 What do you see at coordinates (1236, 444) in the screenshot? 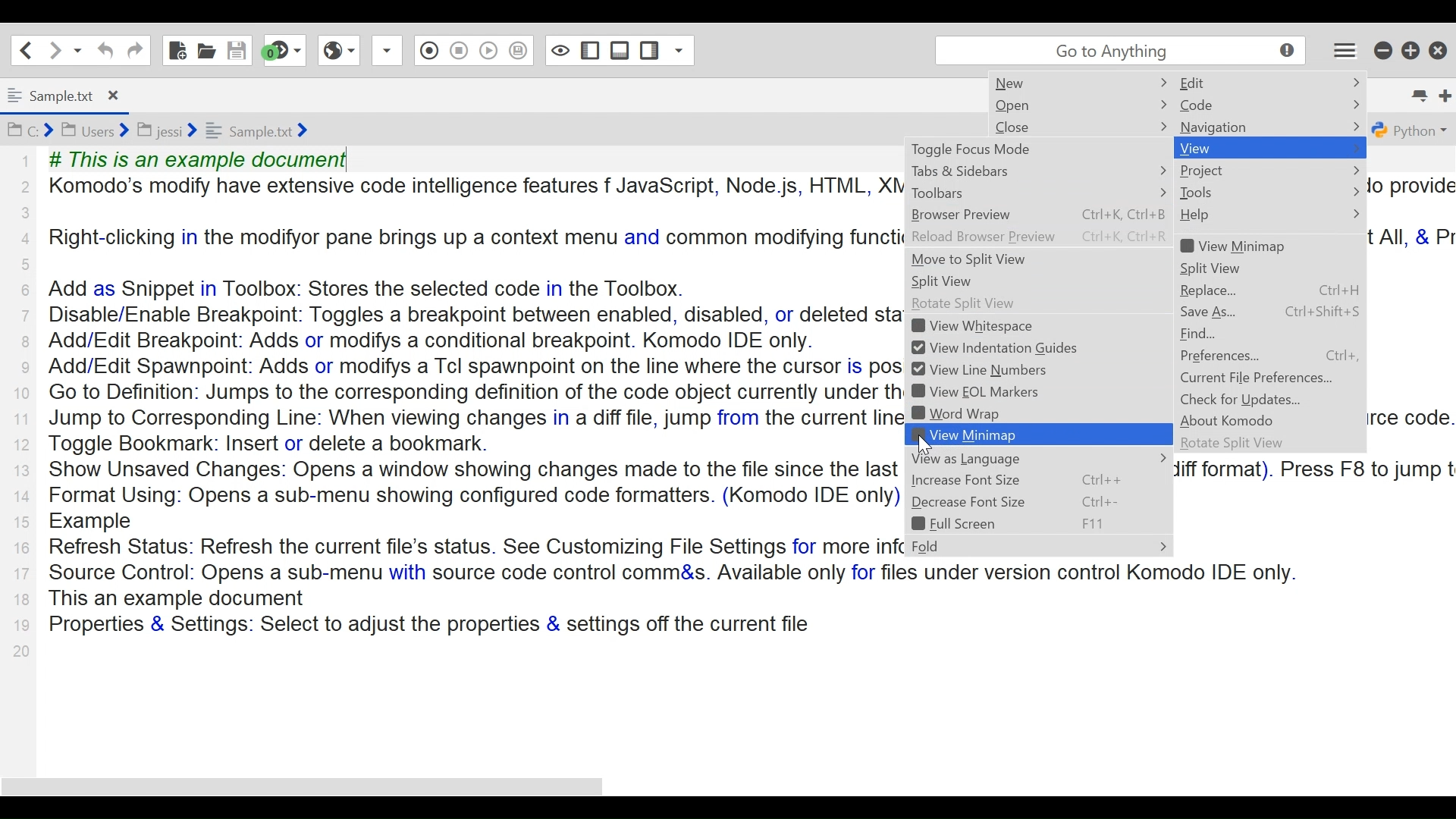
I see `Rotate Split View` at bounding box center [1236, 444].